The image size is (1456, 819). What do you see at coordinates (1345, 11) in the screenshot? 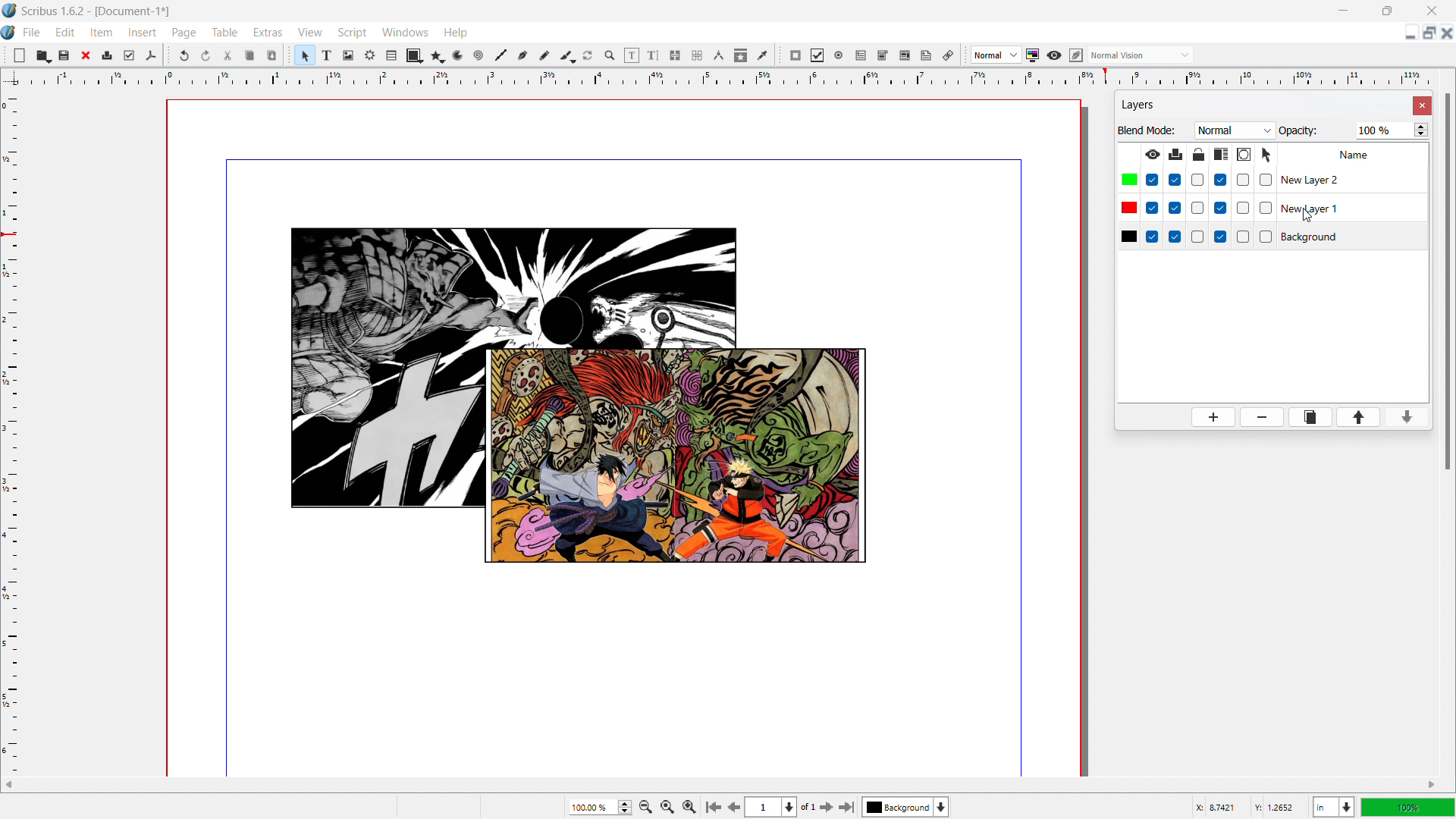
I see `minimize window` at bounding box center [1345, 11].